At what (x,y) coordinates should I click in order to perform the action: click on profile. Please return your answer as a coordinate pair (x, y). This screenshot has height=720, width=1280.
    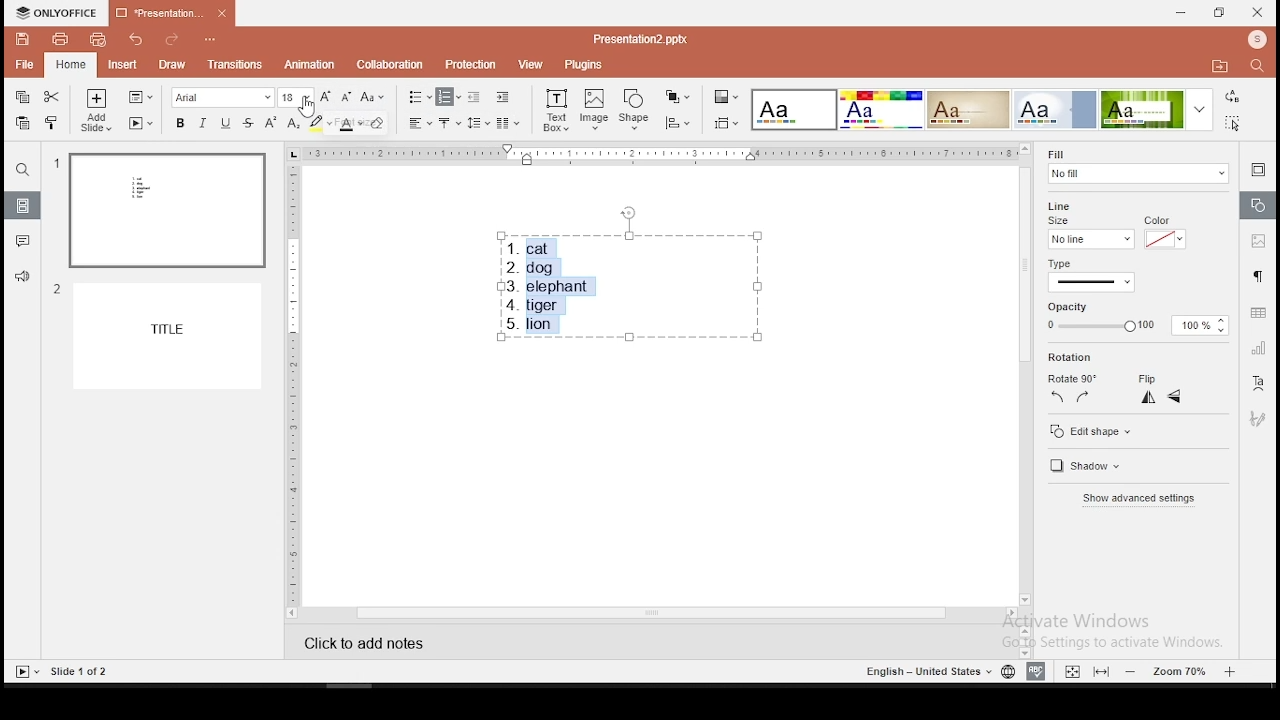
    Looking at the image, I should click on (1254, 39).